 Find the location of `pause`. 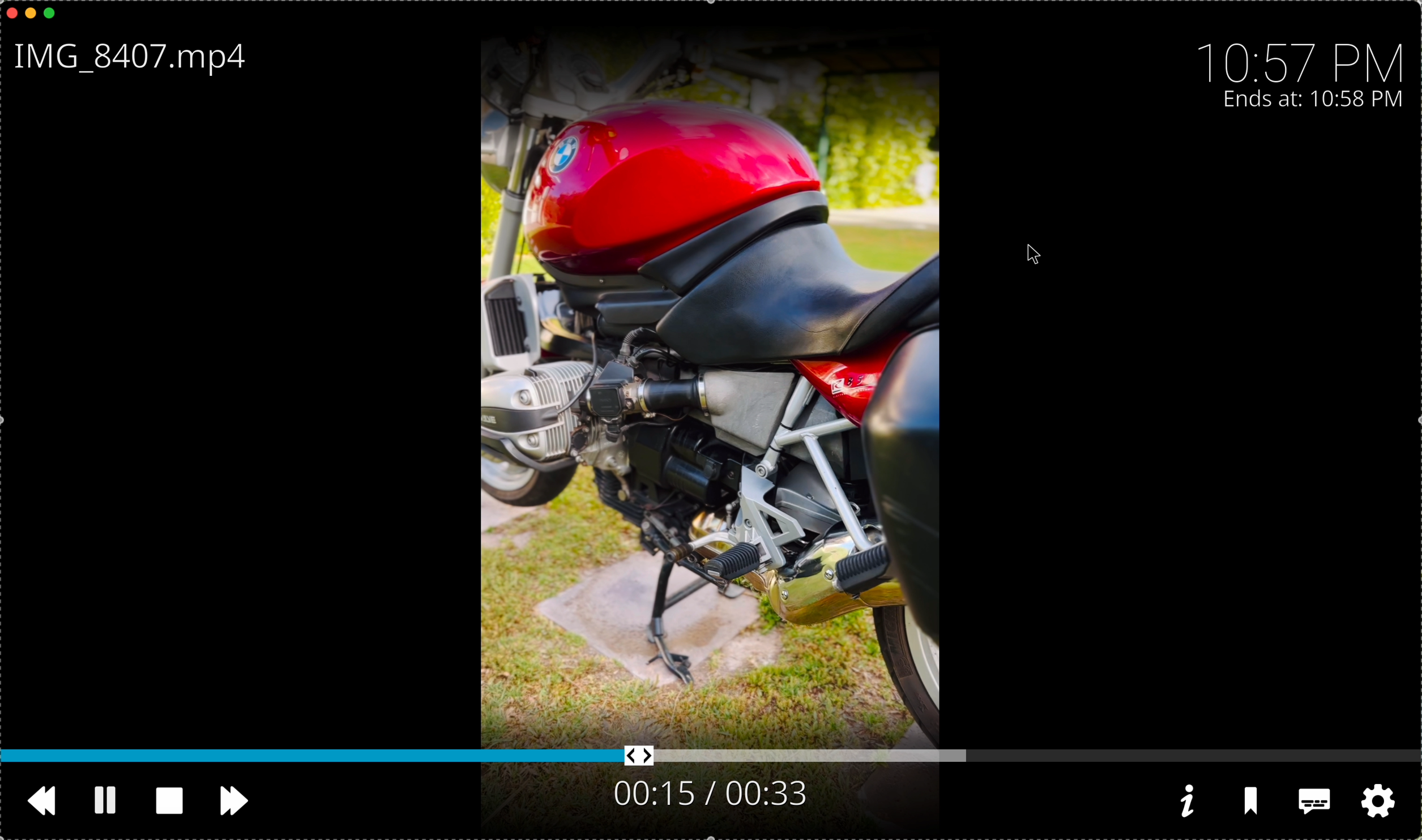

pause is located at coordinates (106, 800).